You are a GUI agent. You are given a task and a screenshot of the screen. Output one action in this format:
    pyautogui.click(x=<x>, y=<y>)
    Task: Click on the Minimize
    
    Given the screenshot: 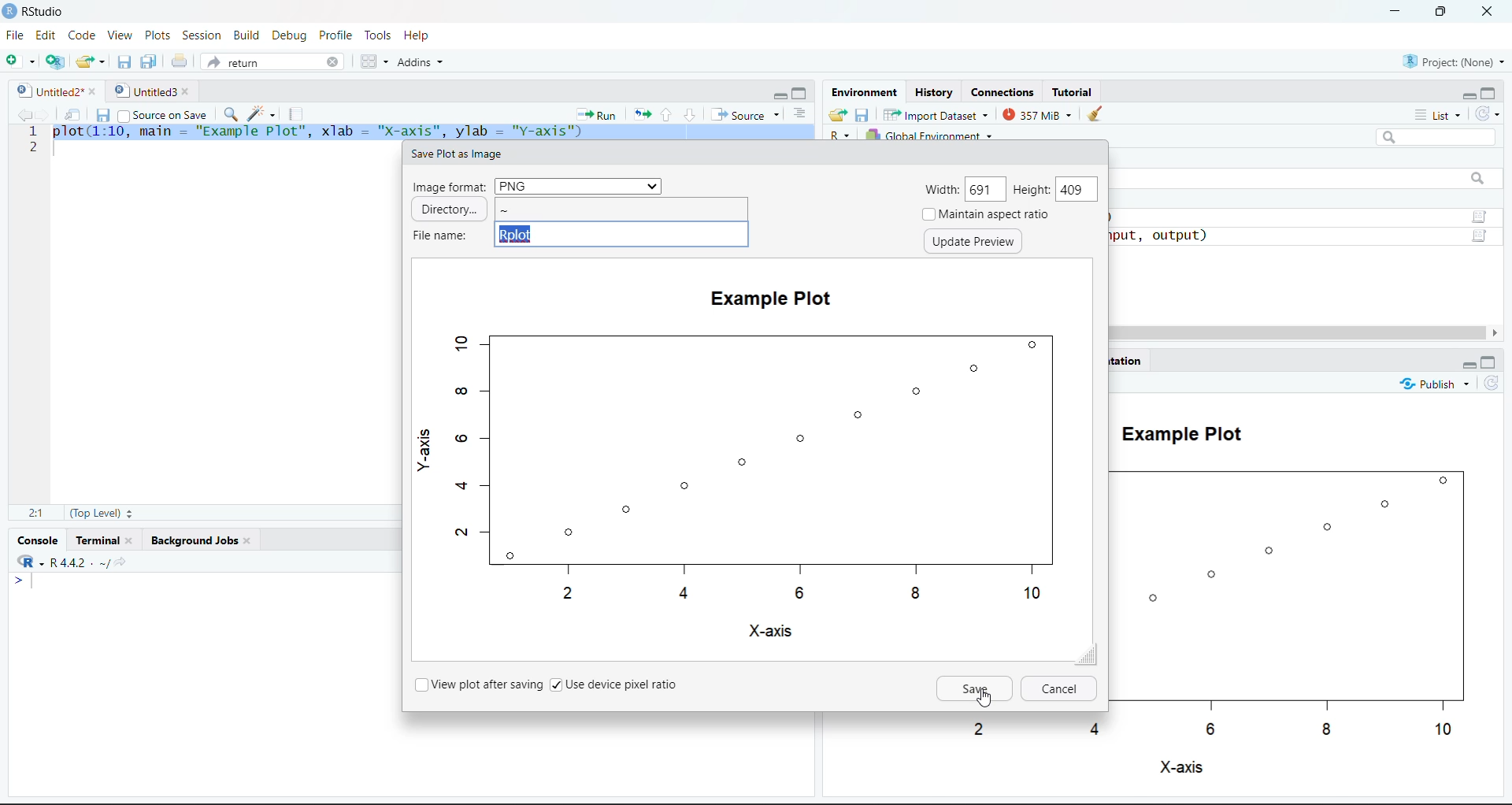 What is the action you would take?
    pyautogui.click(x=1395, y=12)
    